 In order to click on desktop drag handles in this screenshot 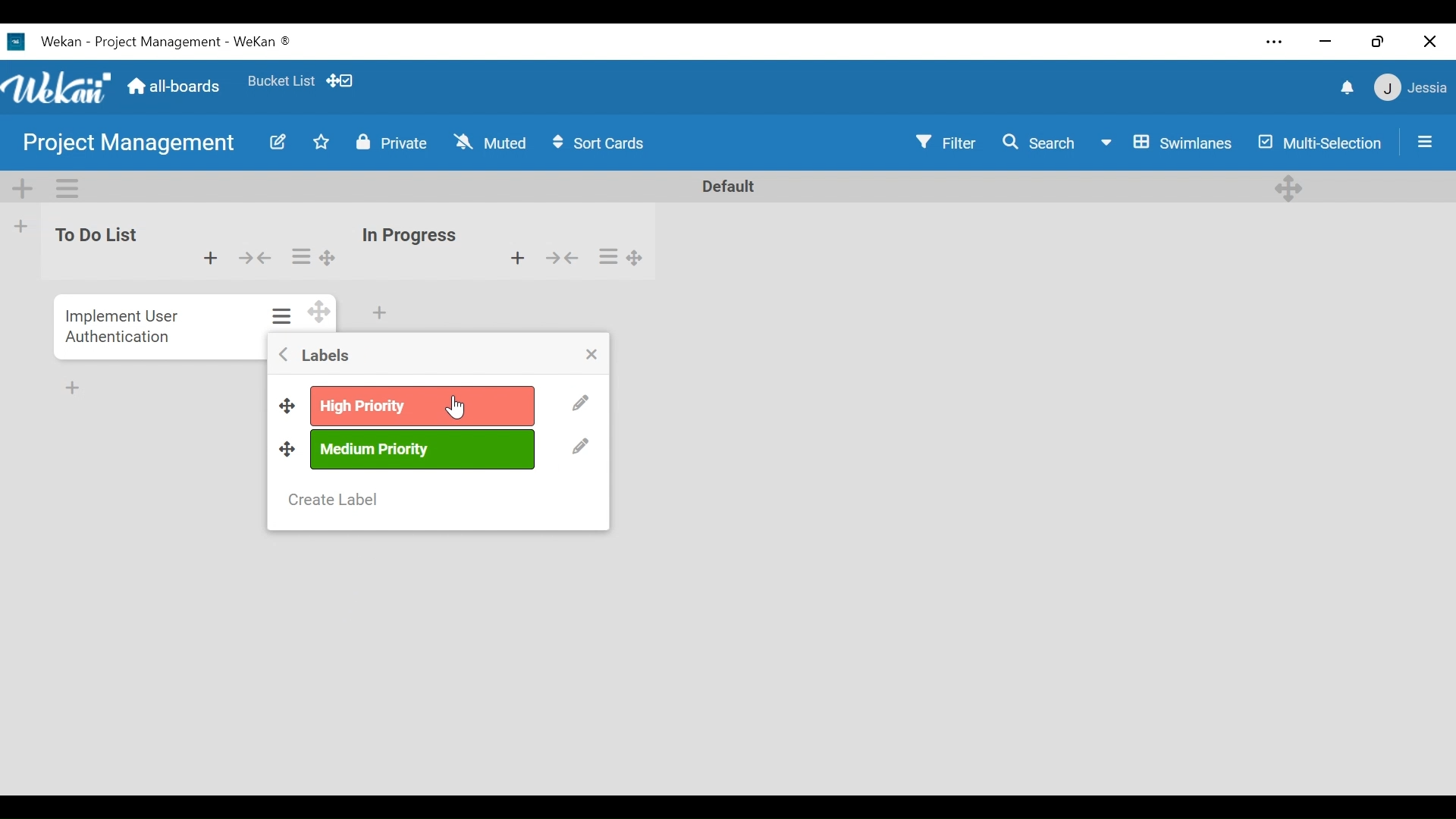, I will do `click(1288, 188)`.